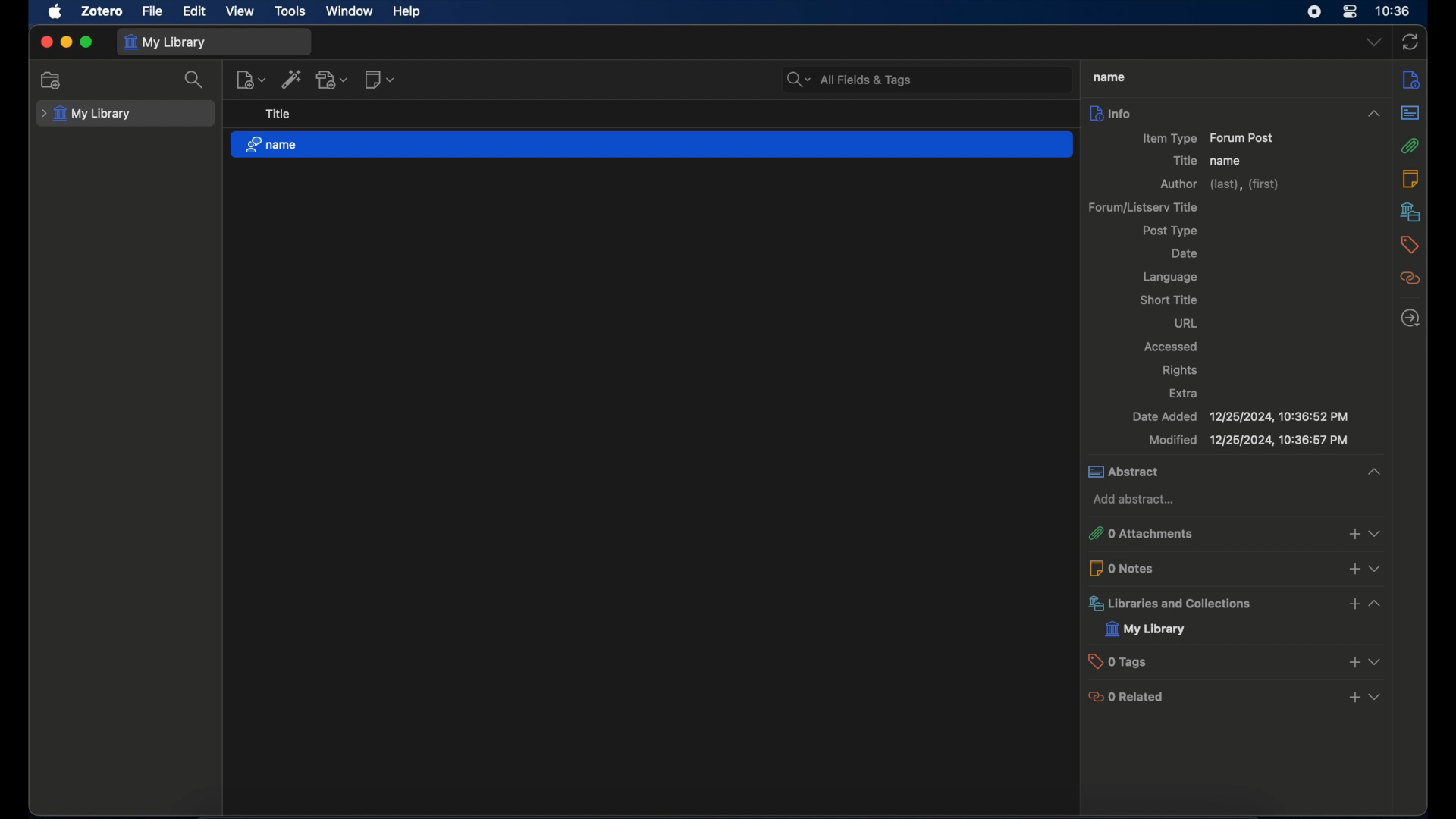 The image size is (1456, 819). I want to click on maximize, so click(86, 42).